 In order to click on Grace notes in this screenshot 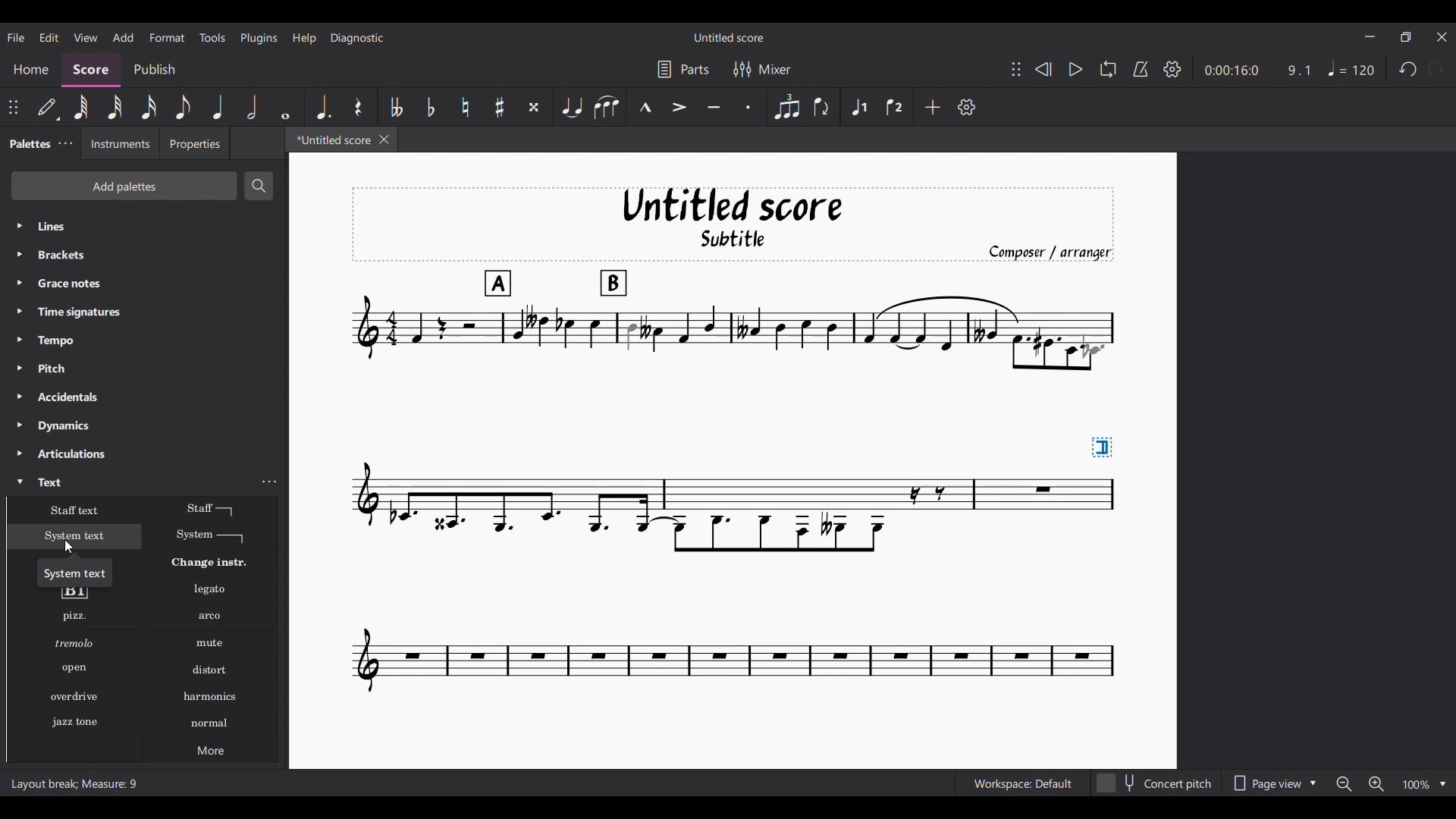, I will do `click(144, 283)`.